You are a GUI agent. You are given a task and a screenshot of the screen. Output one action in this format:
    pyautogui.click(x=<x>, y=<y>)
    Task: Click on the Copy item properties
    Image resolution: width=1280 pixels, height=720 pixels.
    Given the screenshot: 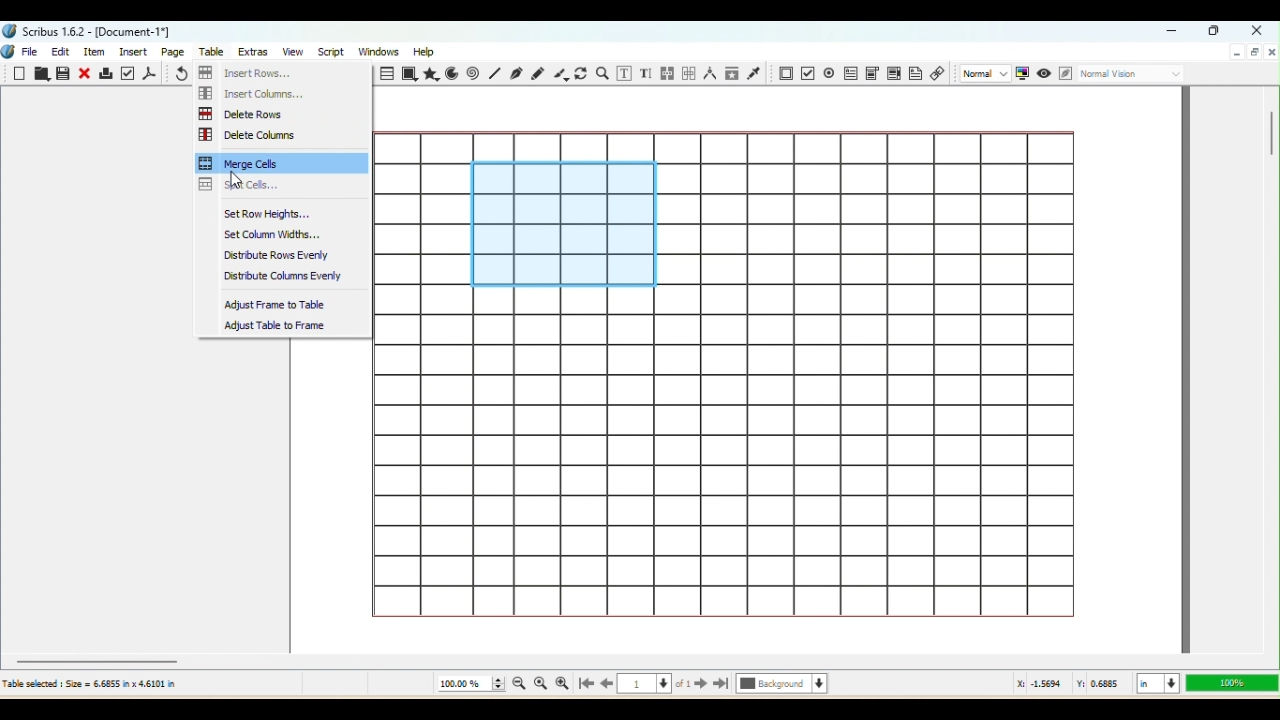 What is the action you would take?
    pyautogui.click(x=732, y=74)
    